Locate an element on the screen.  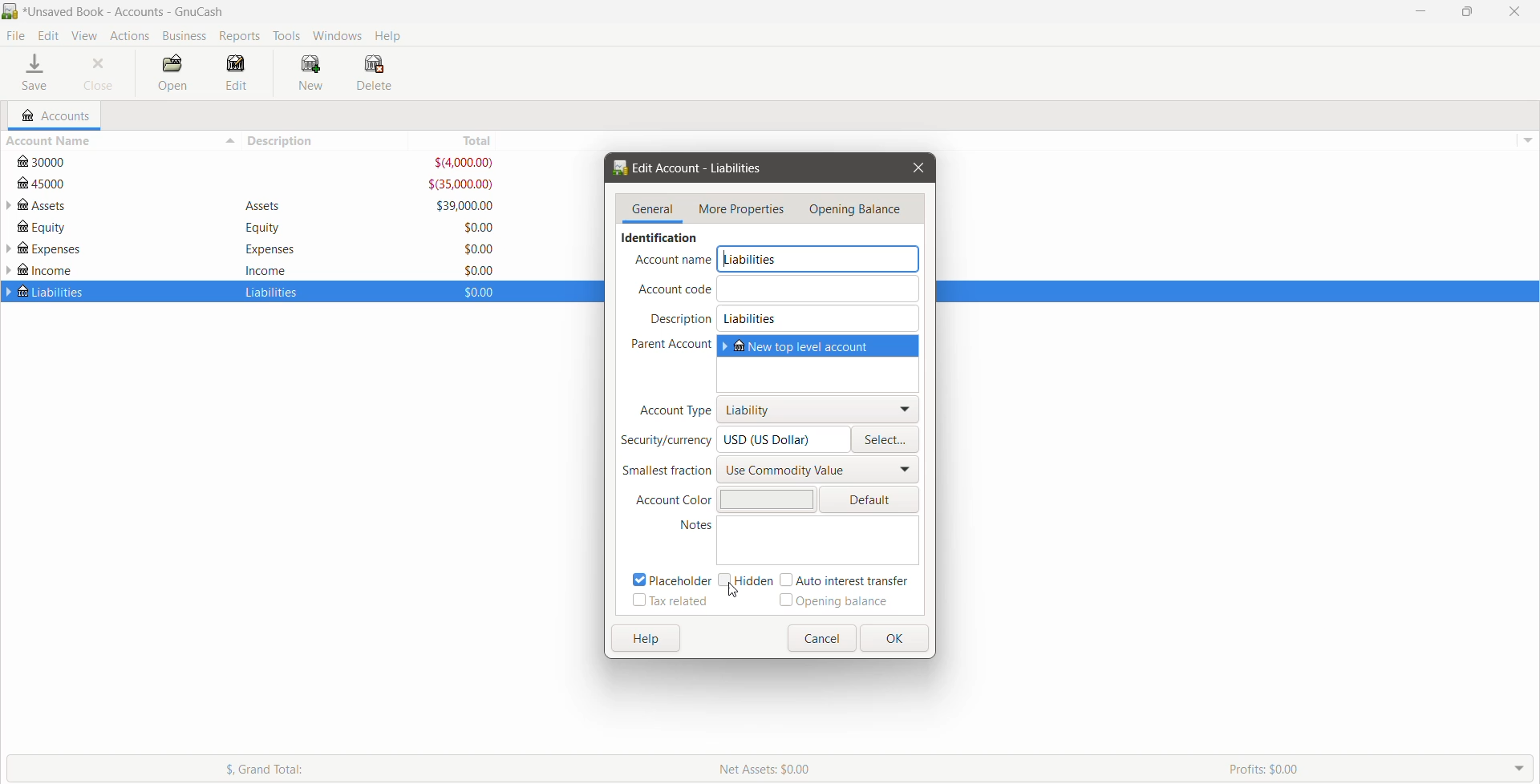
expand subaccounts is located at coordinates (10, 206).